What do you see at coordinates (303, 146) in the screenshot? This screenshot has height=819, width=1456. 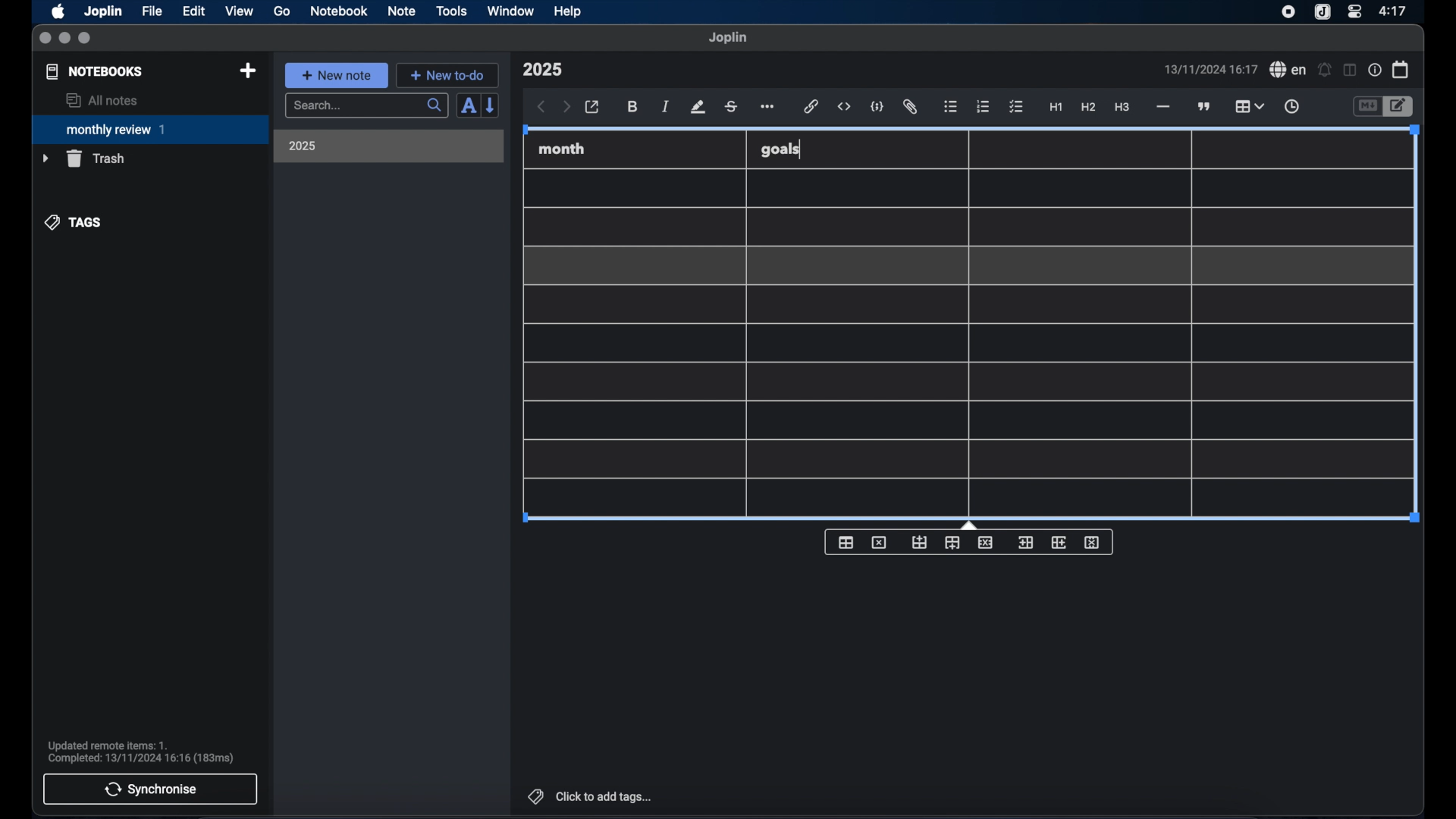 I see `2025` at bounding box center [303, 146].